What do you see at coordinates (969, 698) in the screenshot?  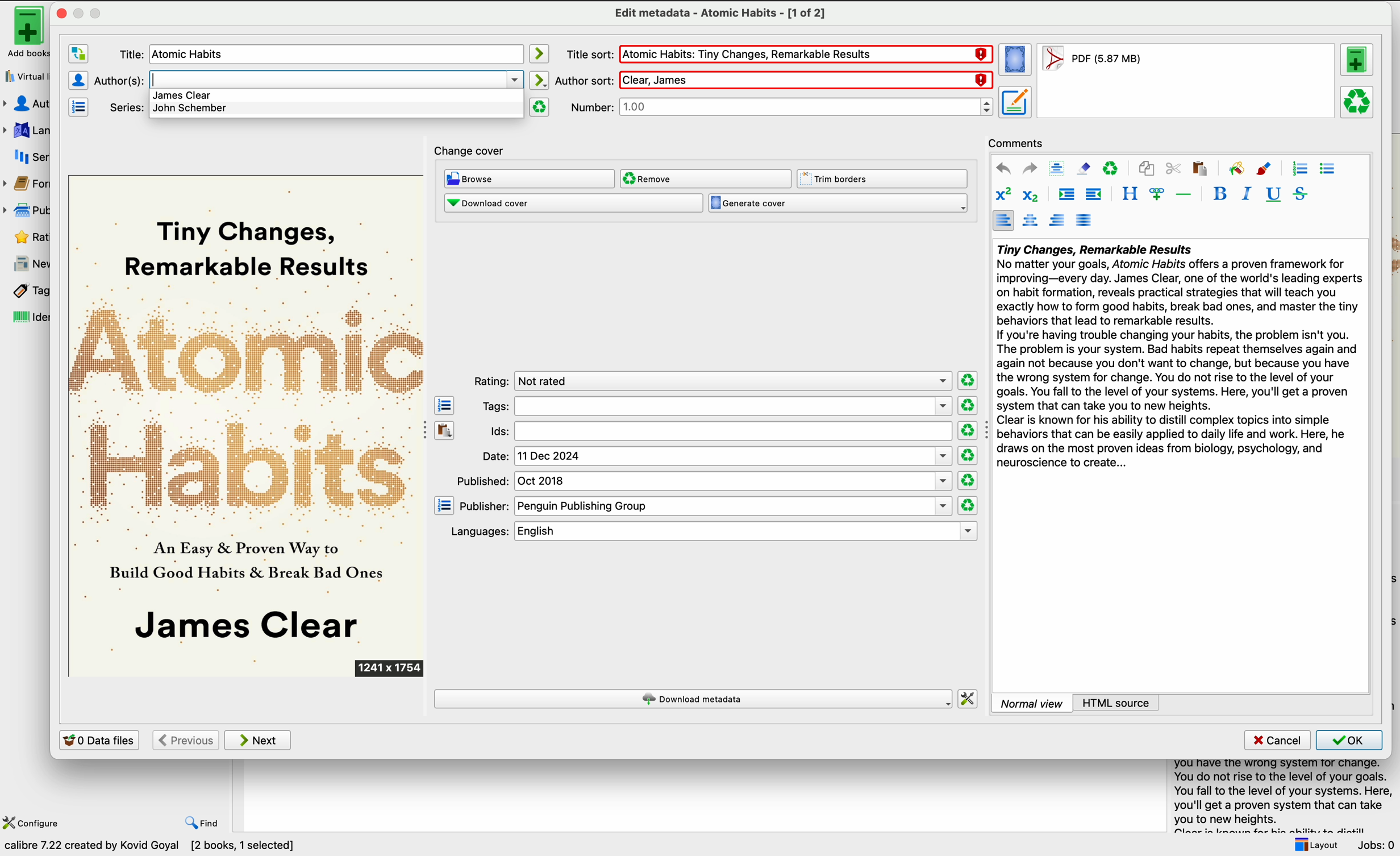 I see `change how calibre downloads metadata` at bounding box center [969, 698].